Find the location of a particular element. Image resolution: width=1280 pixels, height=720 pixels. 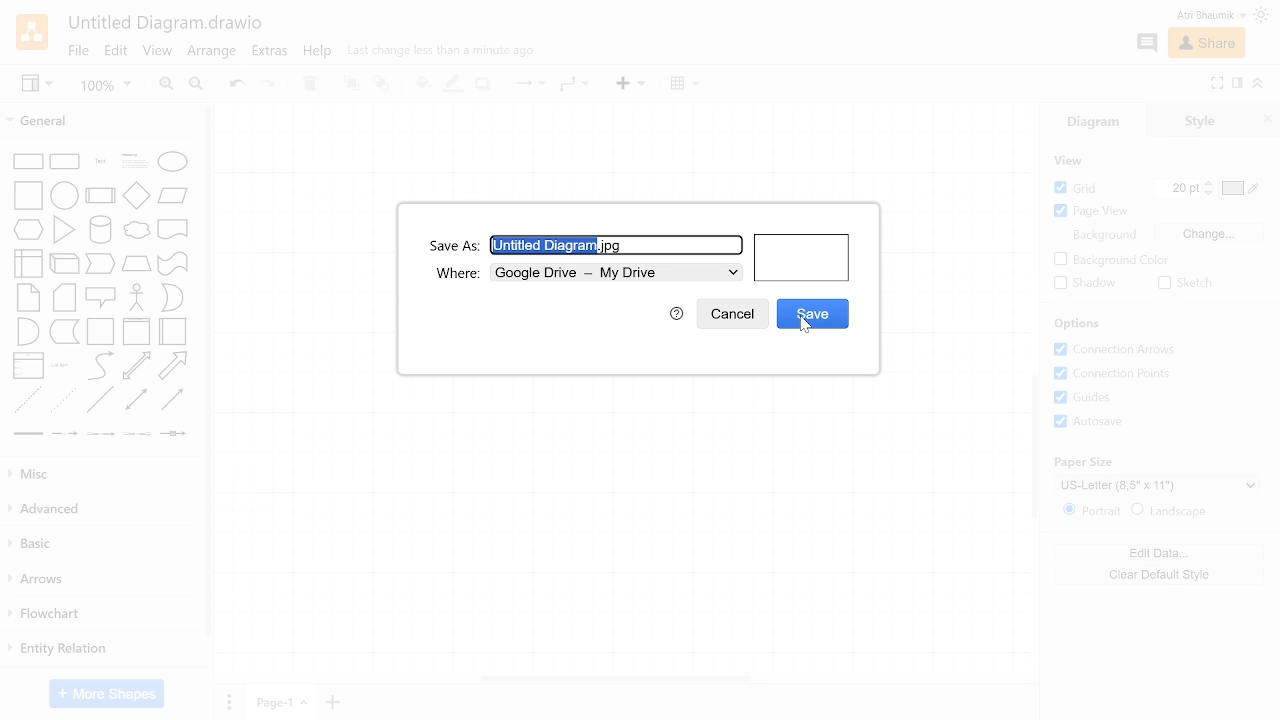

Edit is located at coordinates (117, 52).